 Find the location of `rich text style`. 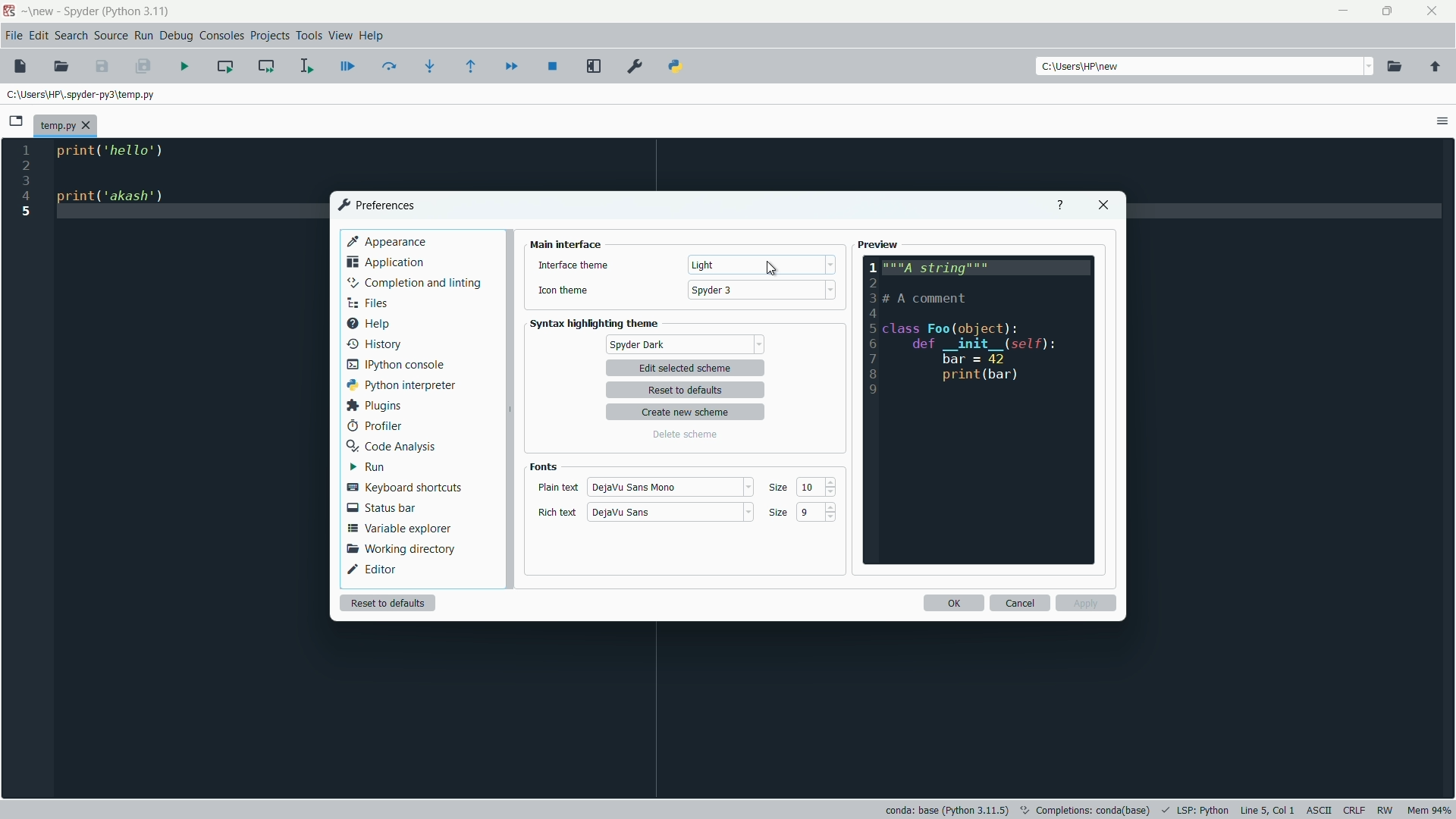

rich text style is located at coordinates (621, 513).